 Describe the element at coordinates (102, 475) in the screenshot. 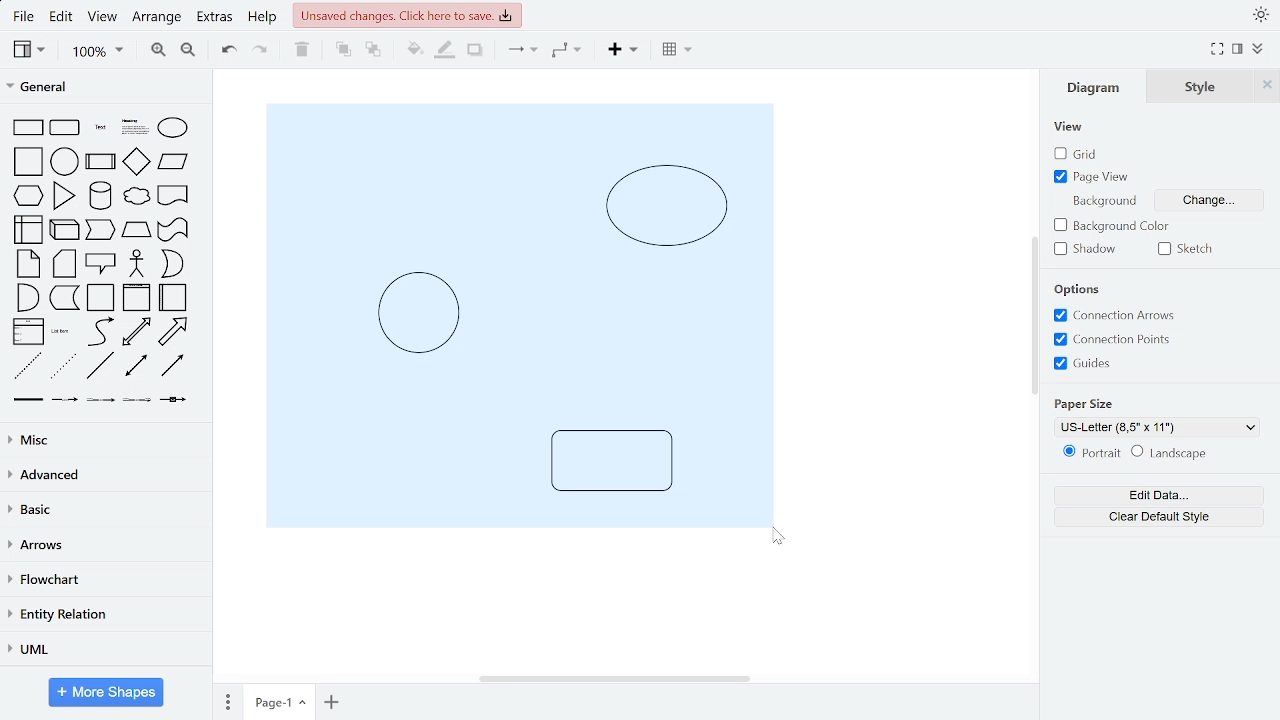

I see `advanced` at that location.